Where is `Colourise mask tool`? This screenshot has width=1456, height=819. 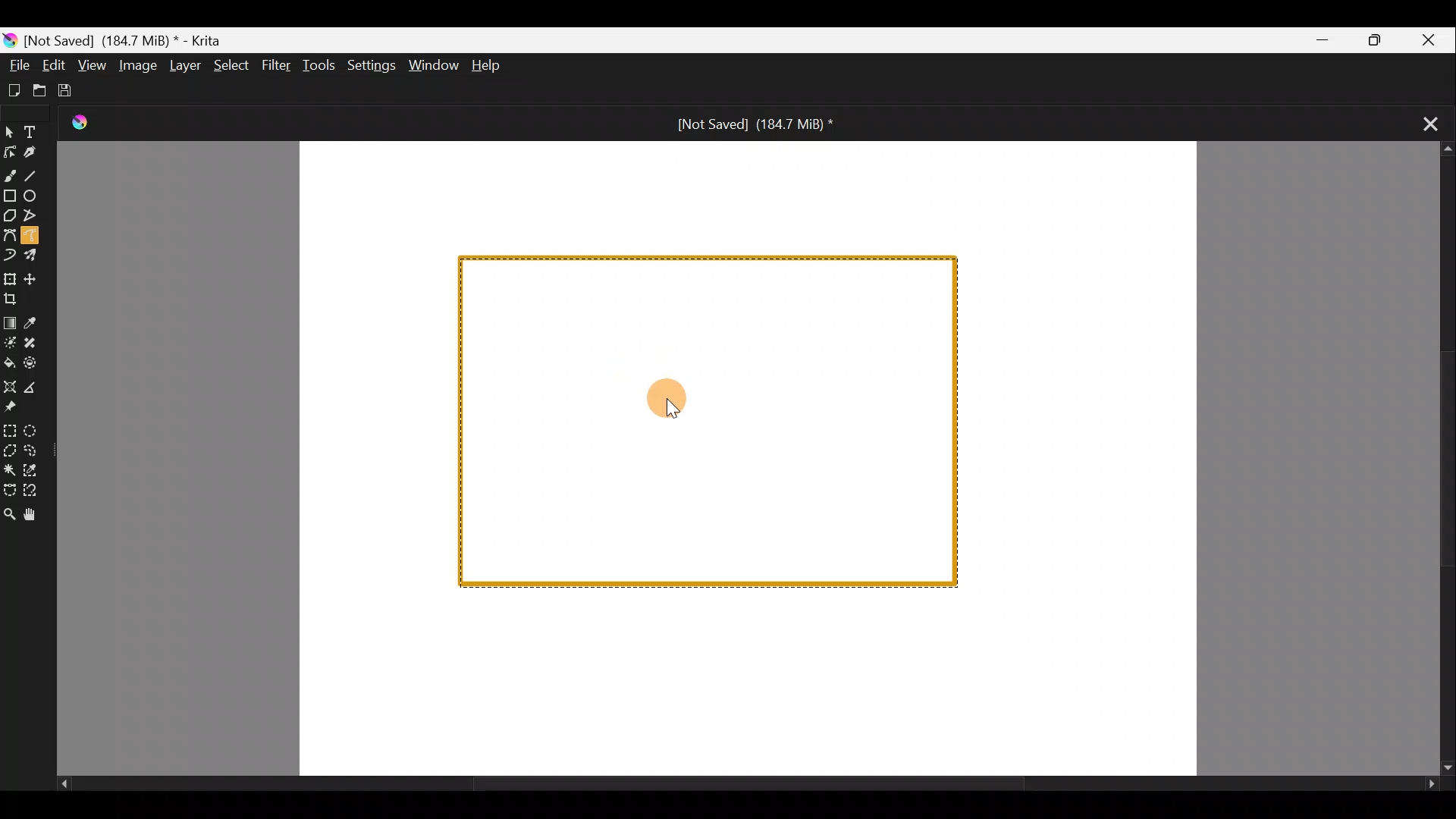
Colourise mask tool is located at coordinates (10, 344).